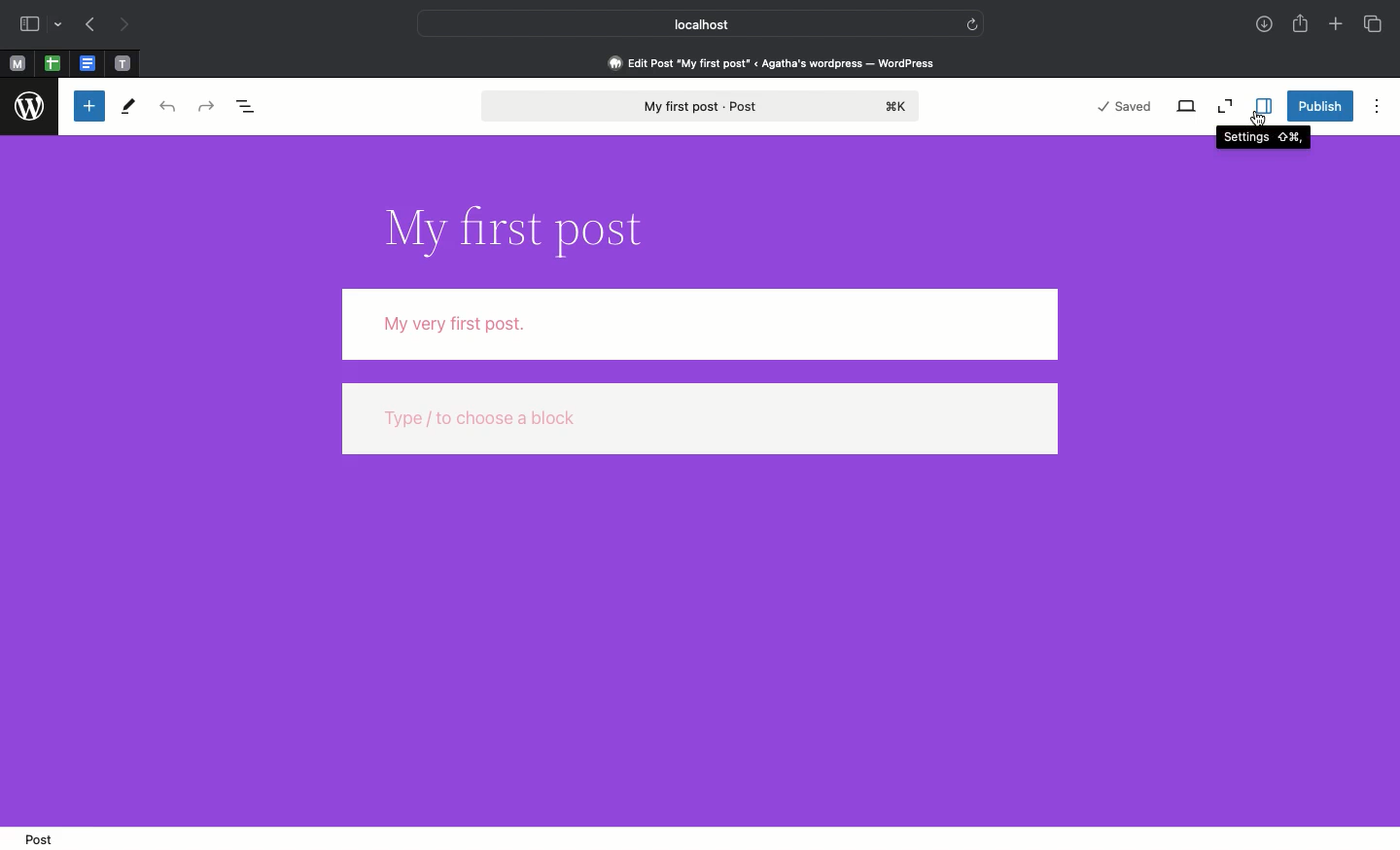 This screenshot has height=850, width=1400. I want to click on Document overview, so click(250, 104).